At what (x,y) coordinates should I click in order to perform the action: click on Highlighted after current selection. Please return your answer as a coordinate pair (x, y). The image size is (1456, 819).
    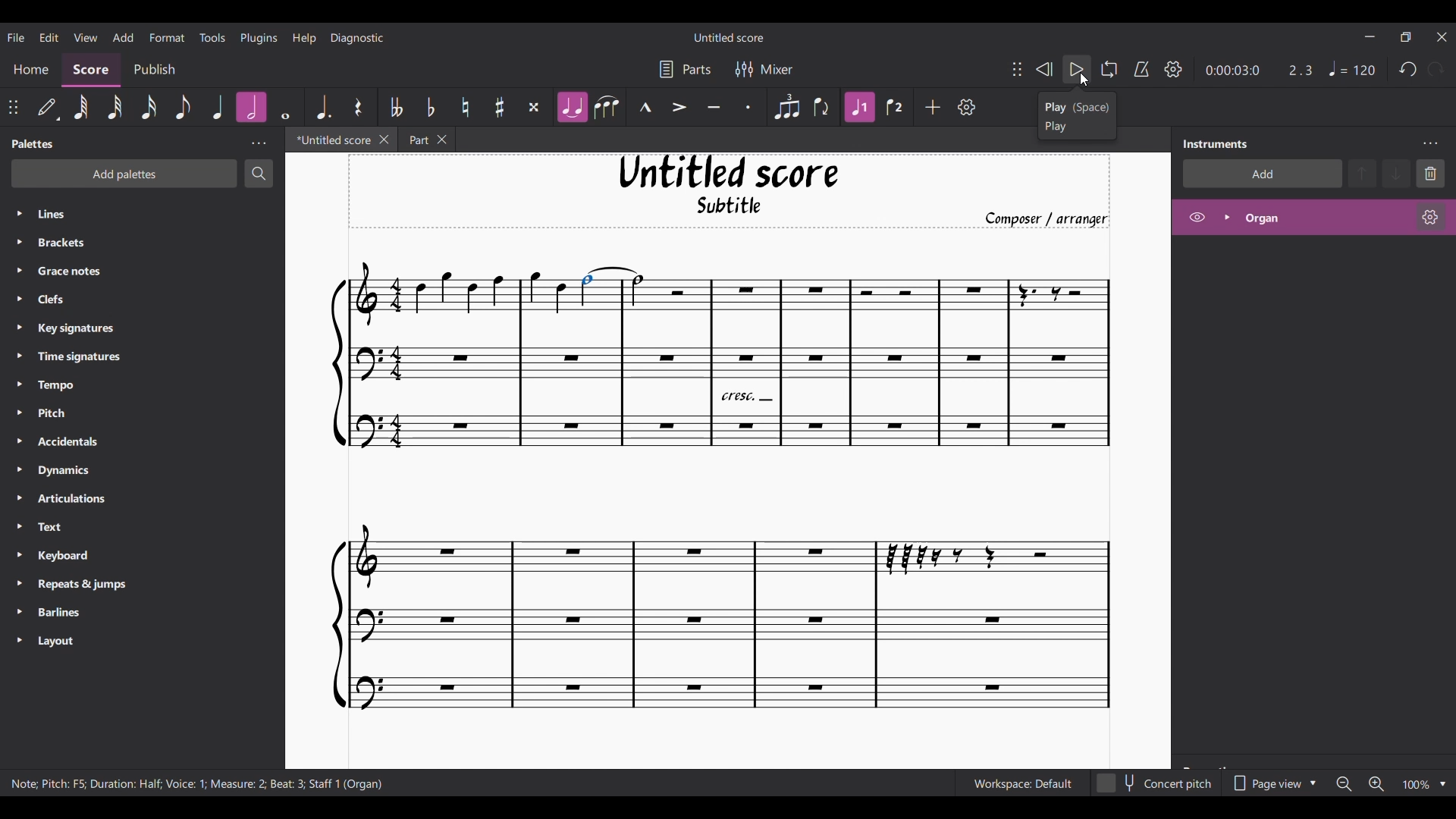
    Looking at the image, I should click on (218, 107).